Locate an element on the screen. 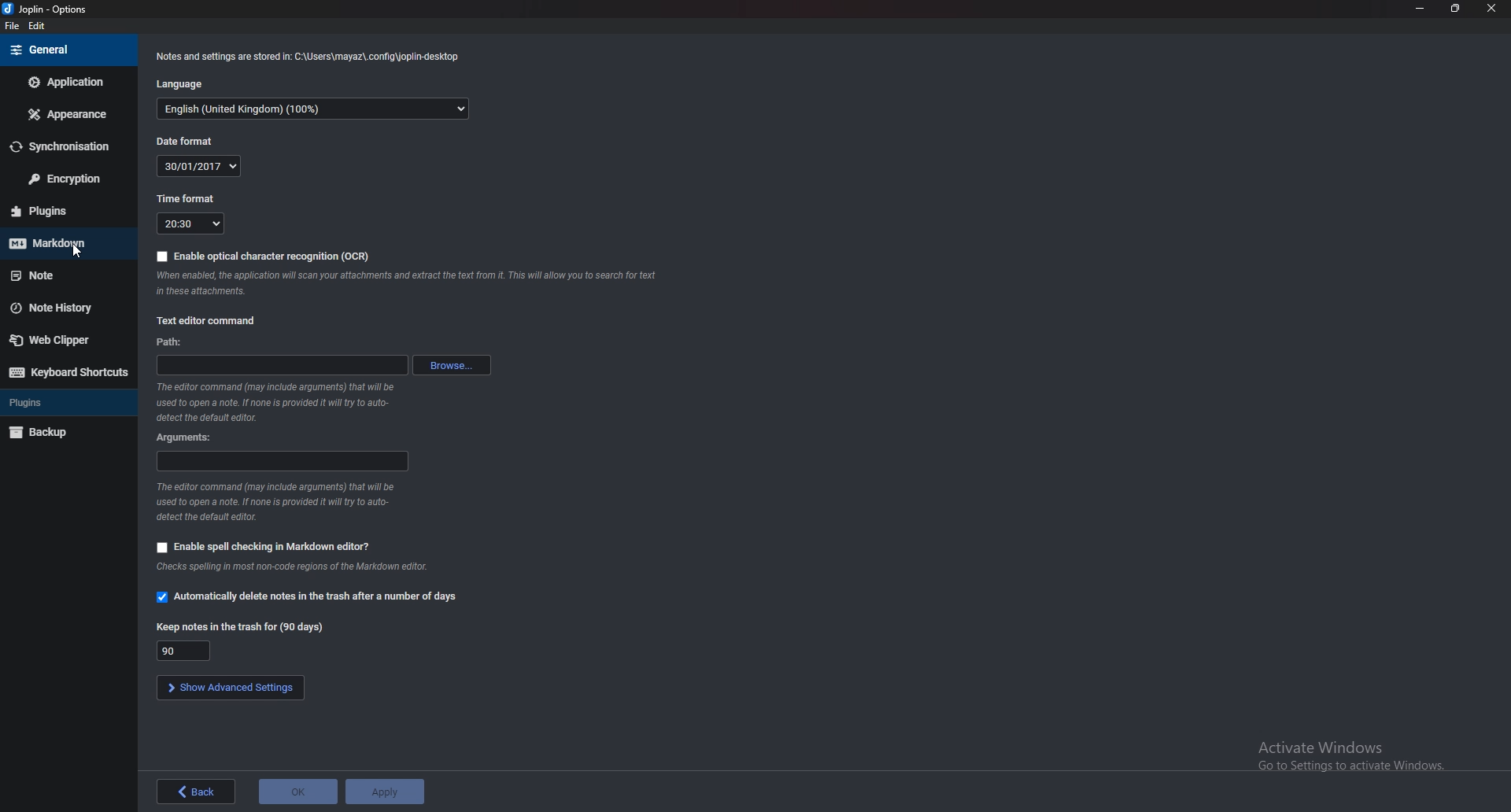  Enable optical character recognition is located at coordinates (262, 257).